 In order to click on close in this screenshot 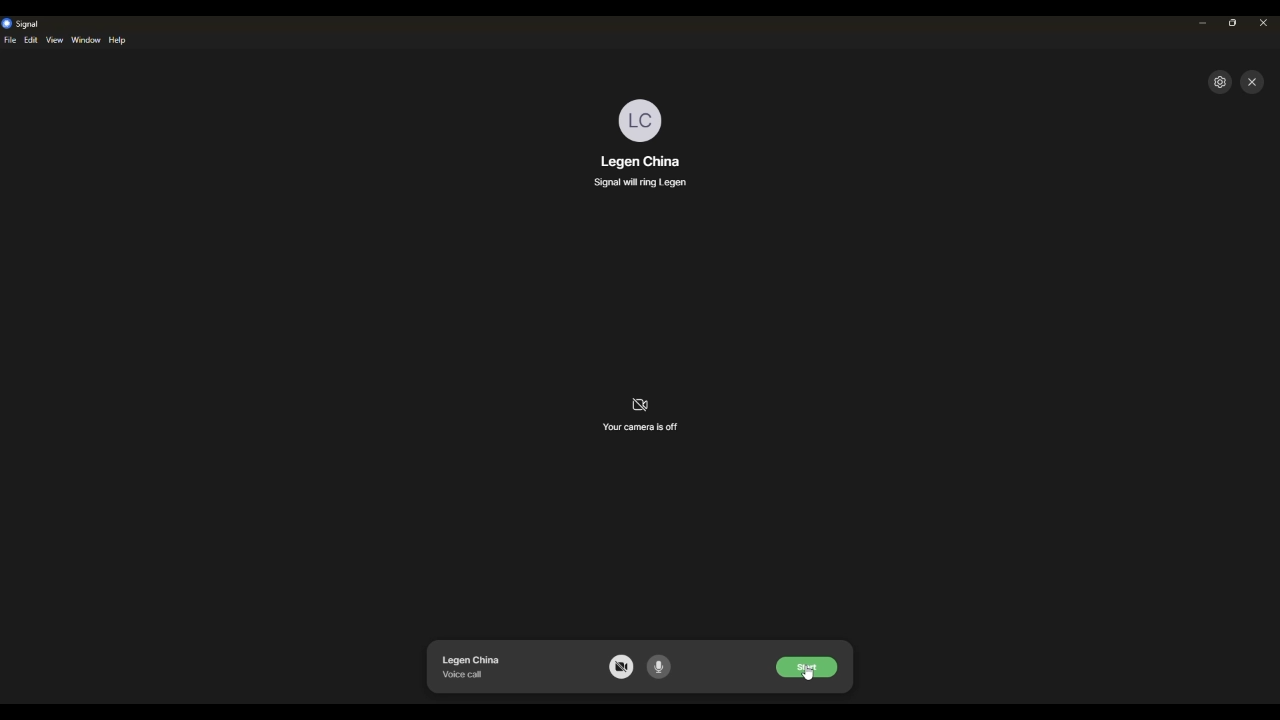, I will do `click(1253, 82)`.